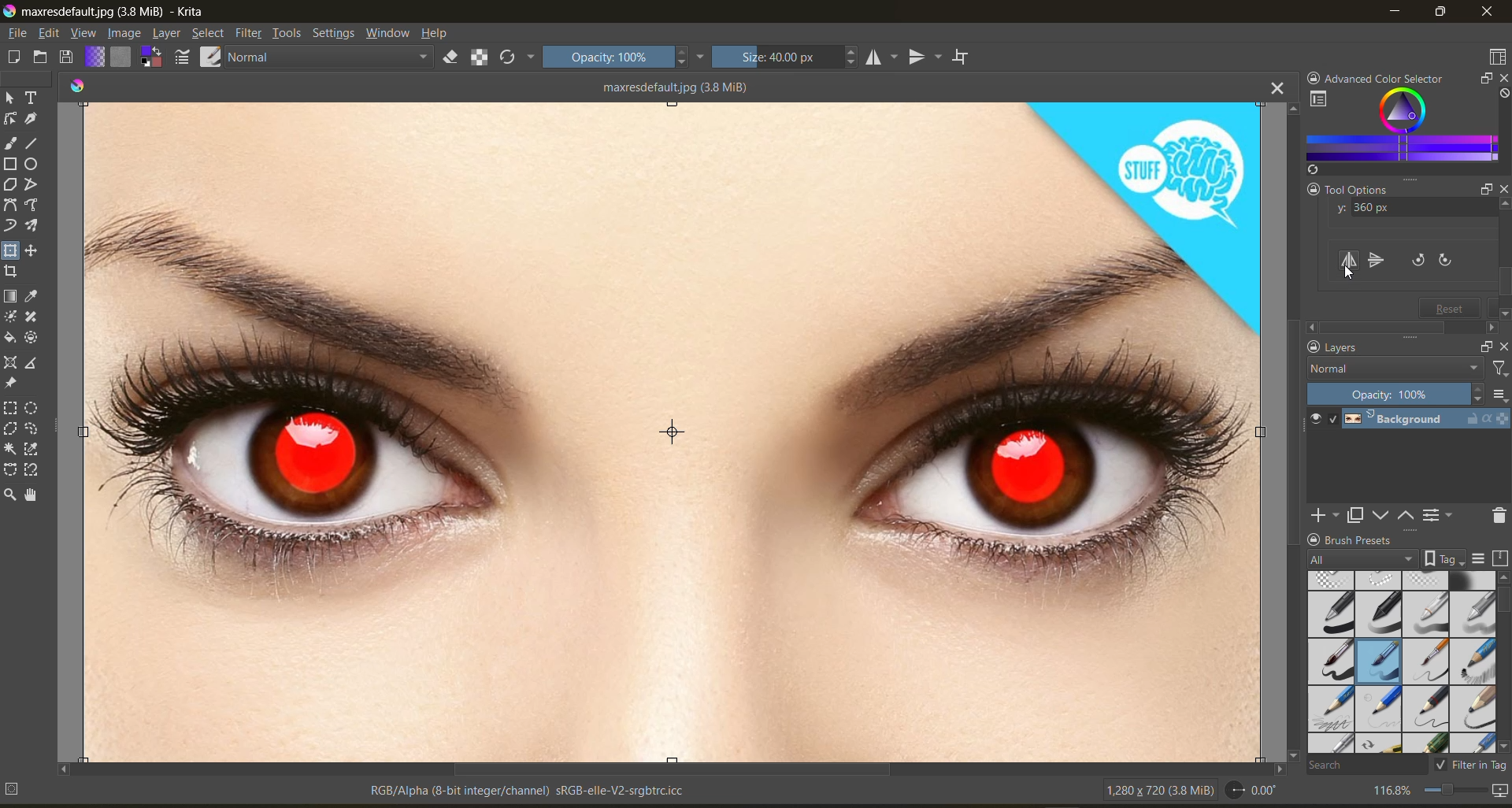 The image size is (1512, 808). I want to click on flip canvas horizontally, so click(1350, 262).